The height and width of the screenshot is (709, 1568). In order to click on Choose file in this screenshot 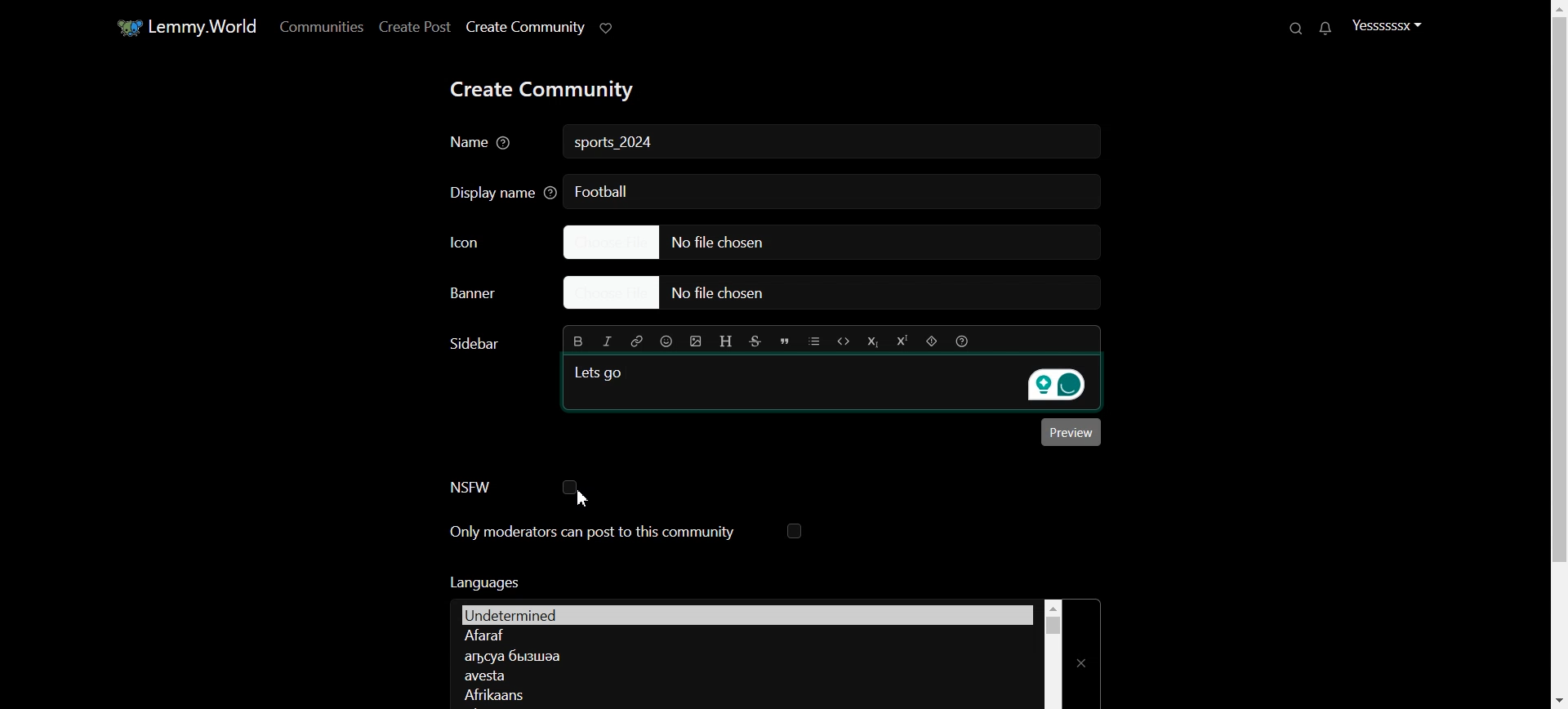, I will do `click(840, 294)`.